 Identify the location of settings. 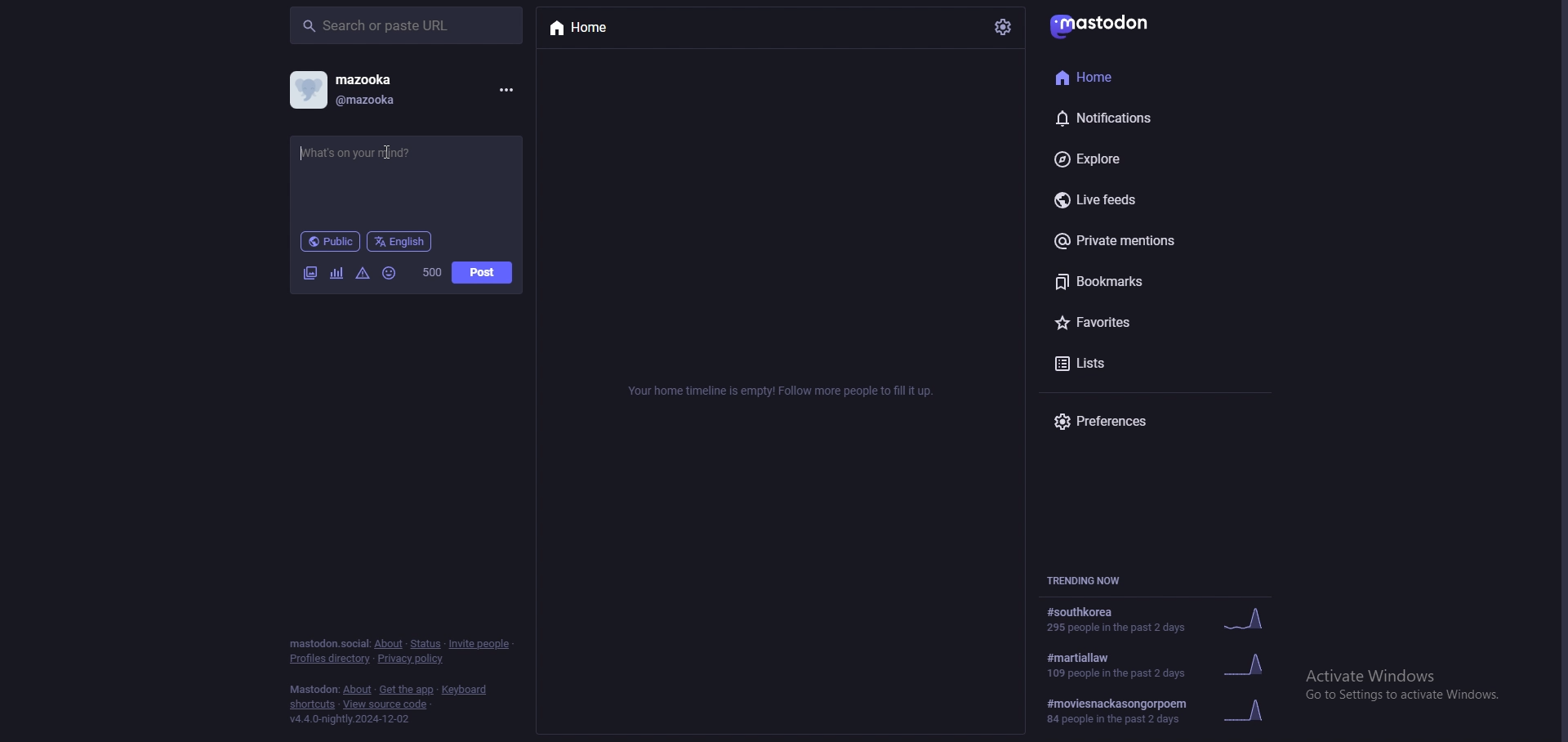
(1004, 27).